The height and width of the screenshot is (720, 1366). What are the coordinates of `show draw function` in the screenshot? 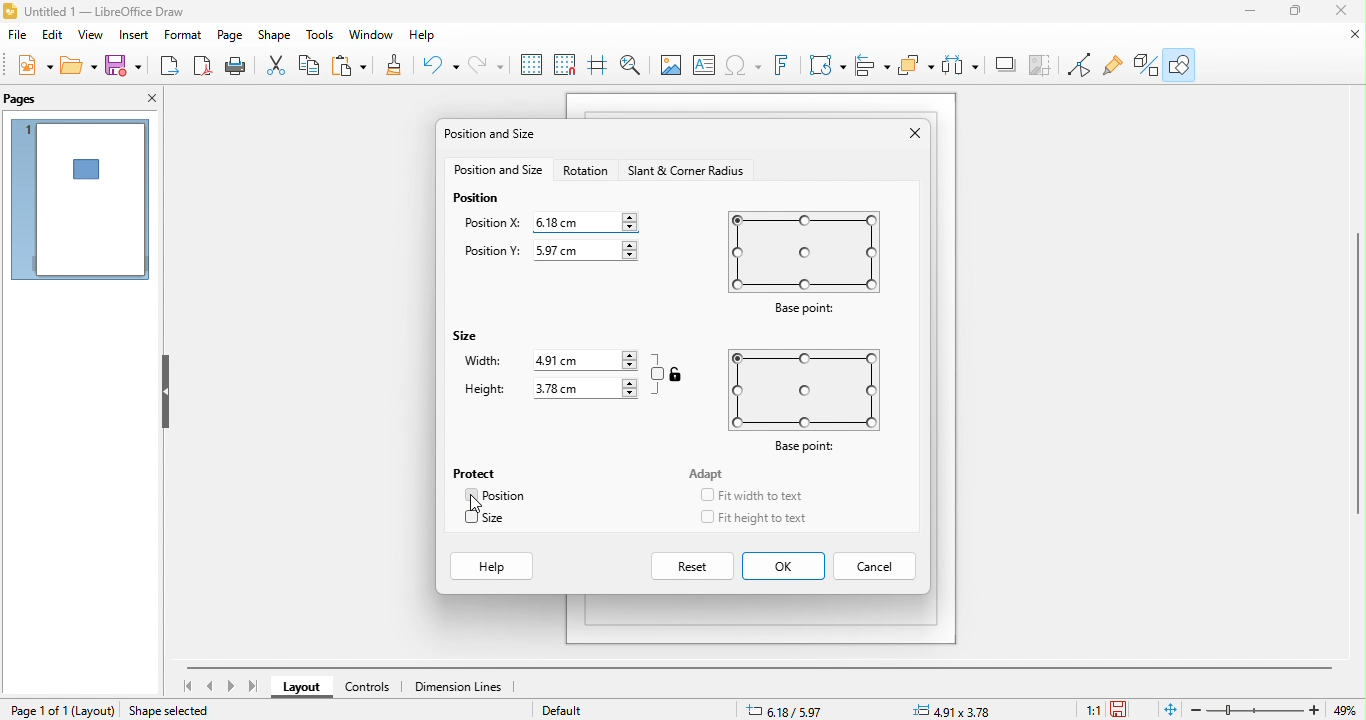 It's located at (1179, 63).